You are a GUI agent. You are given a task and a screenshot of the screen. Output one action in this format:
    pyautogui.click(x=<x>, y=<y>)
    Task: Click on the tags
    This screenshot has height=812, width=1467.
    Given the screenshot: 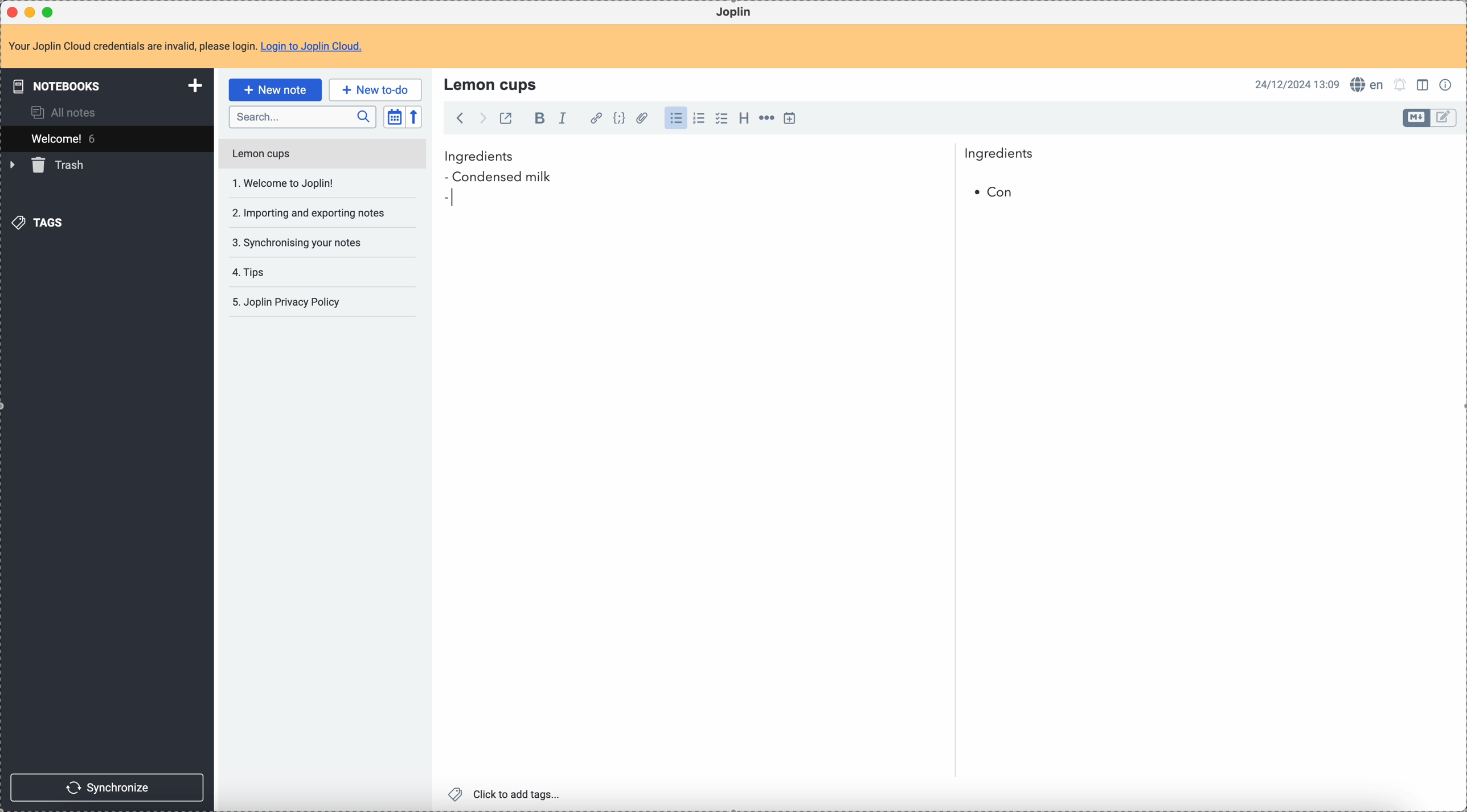 What is the action you would take?
    pyautogui.click(x=40, y=222)
    